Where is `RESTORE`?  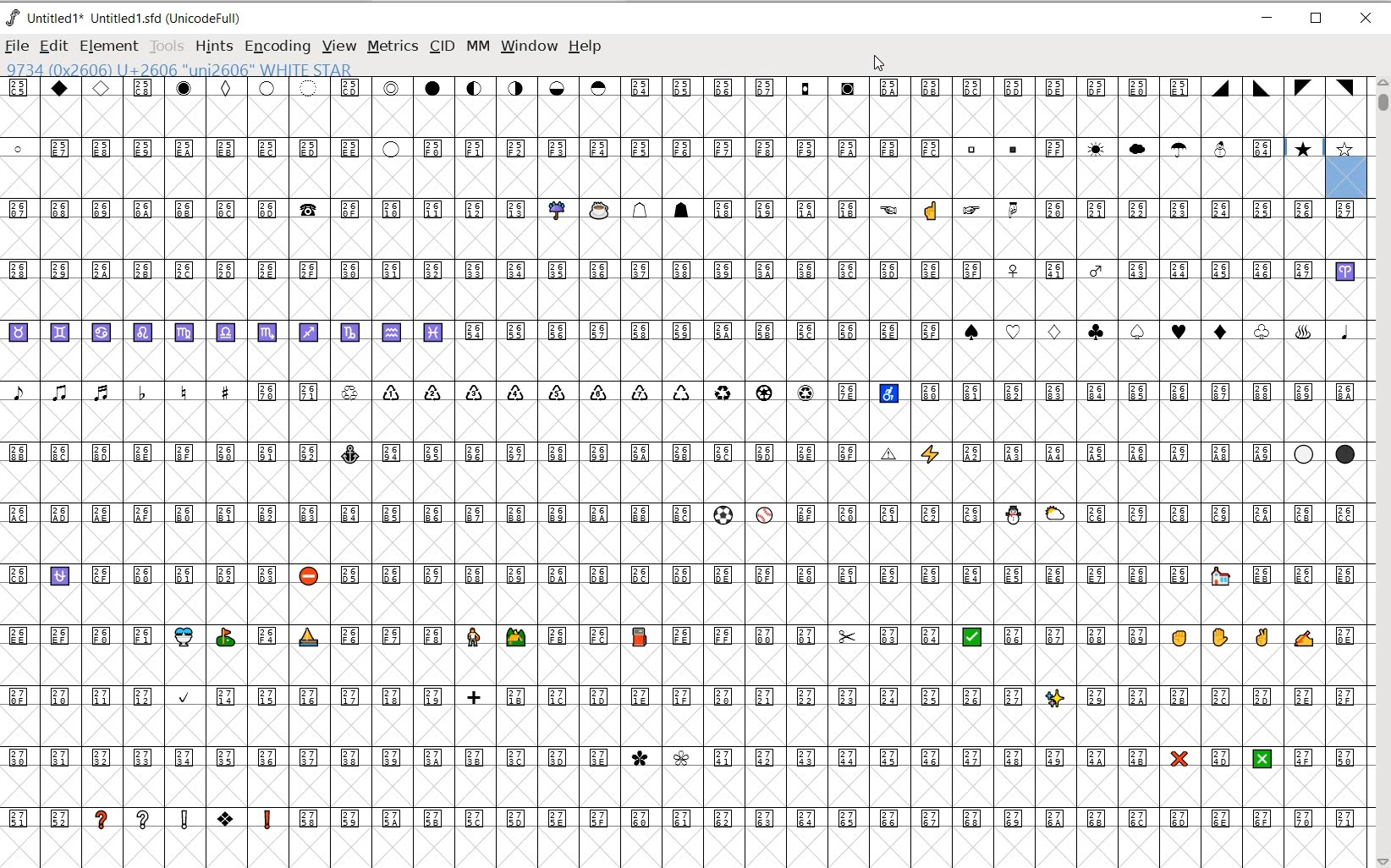 RESTORE is located at coordinates (1318, 19).